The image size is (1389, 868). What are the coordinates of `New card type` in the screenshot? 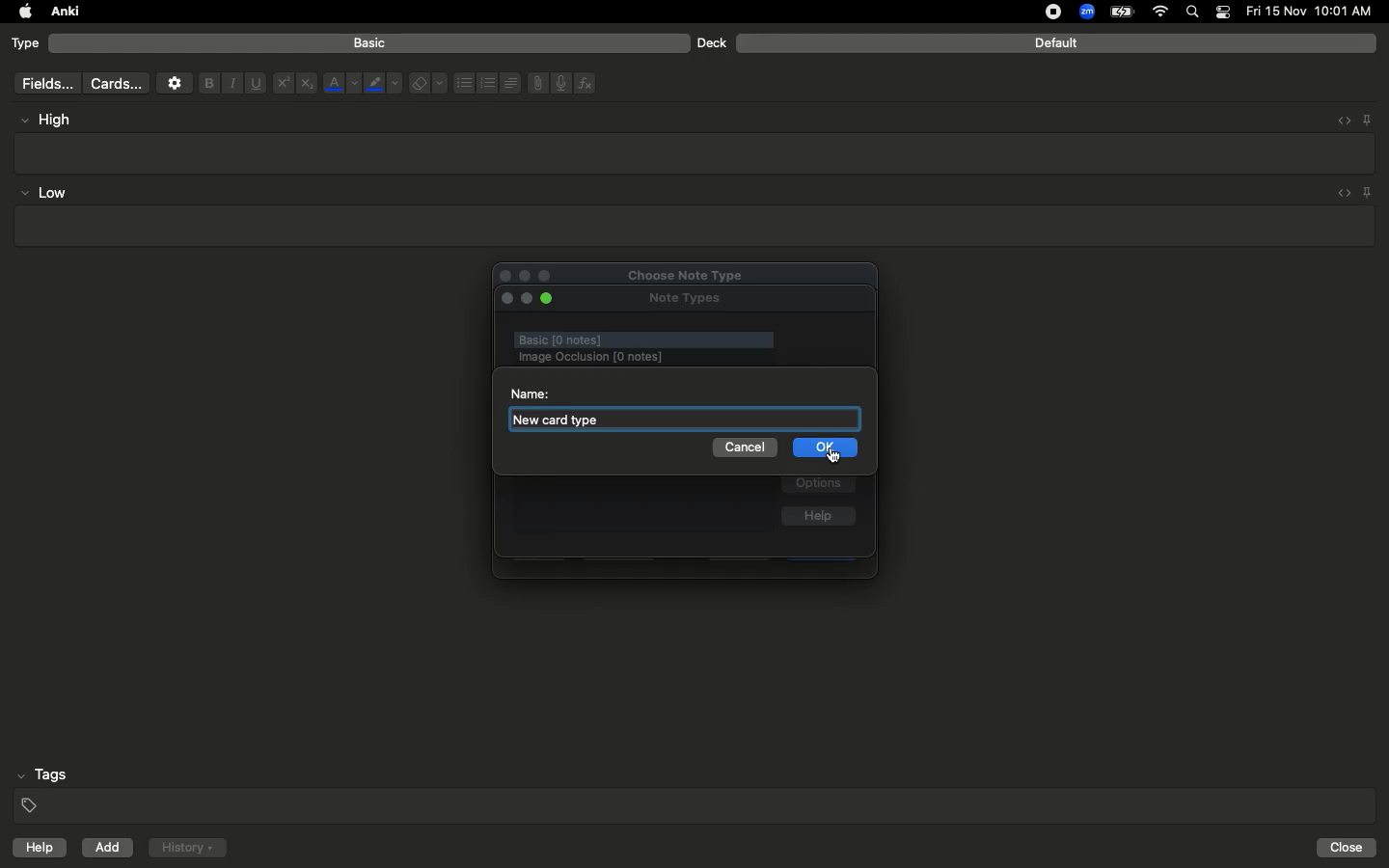 It's located at (568, 420).